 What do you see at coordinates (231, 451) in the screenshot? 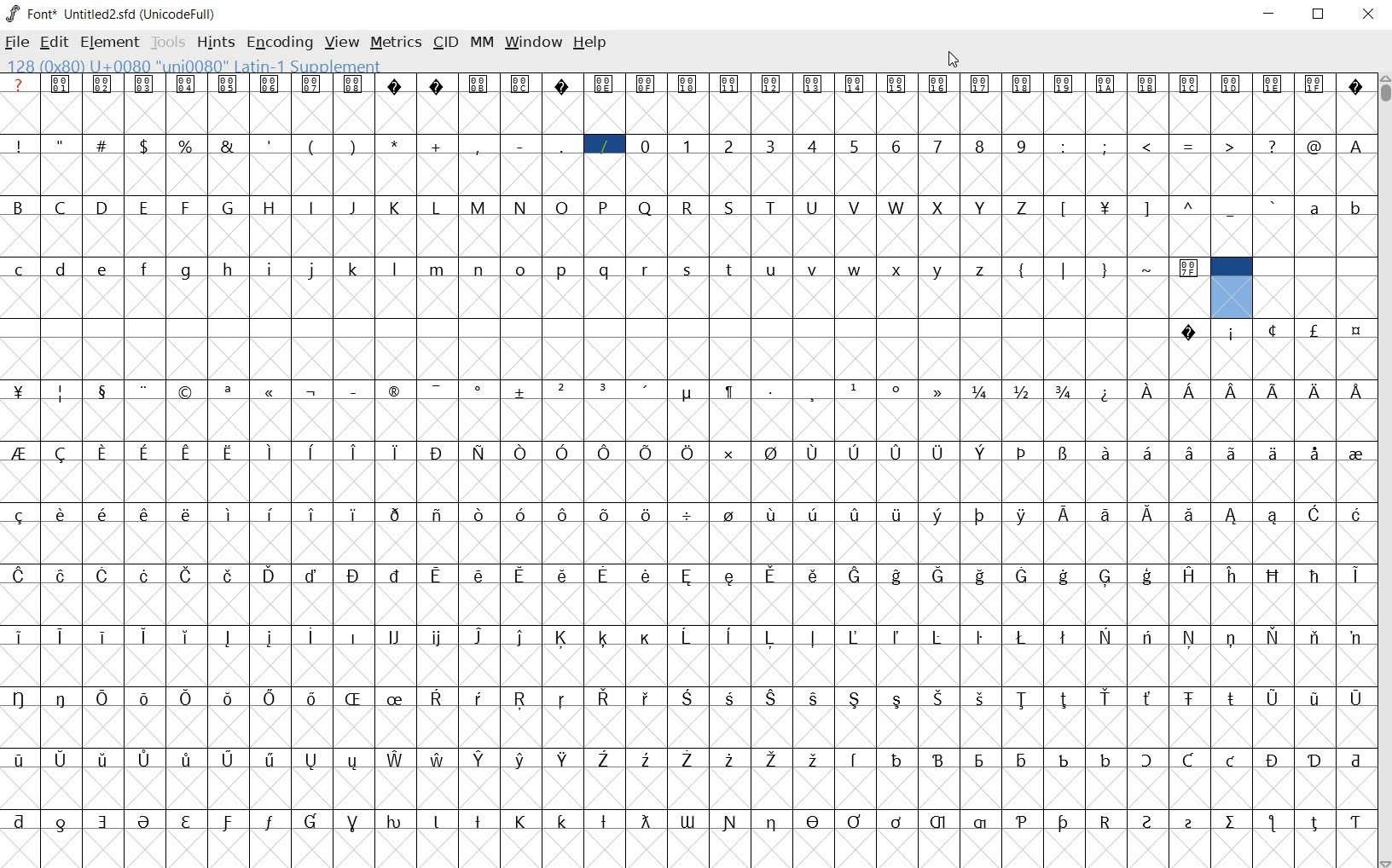
I see `Symbol` at bounding box center [231, 451].